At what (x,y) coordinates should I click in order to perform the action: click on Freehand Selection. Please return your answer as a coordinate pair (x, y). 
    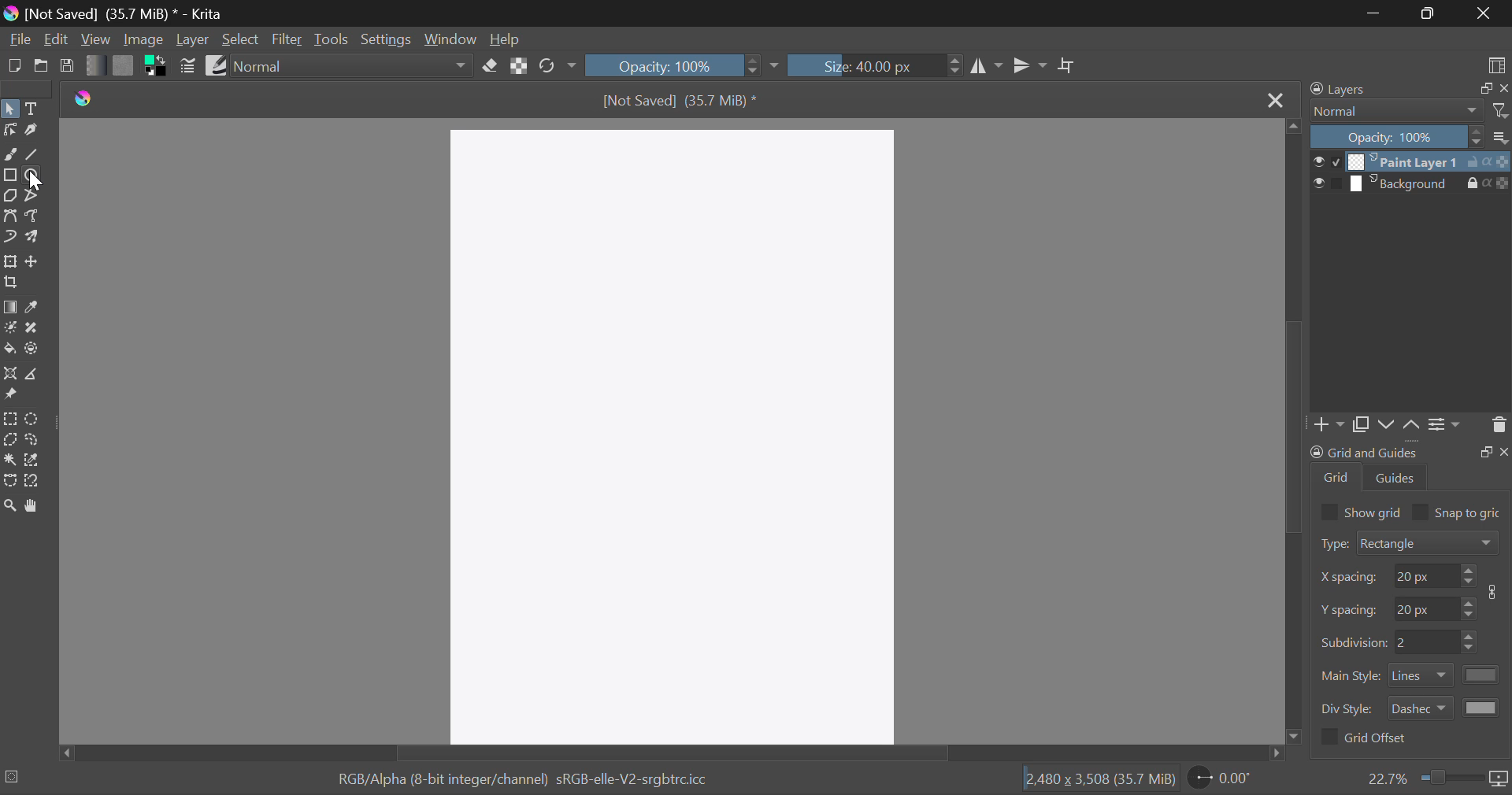
    Looking at the image, I should click on (33, 442).